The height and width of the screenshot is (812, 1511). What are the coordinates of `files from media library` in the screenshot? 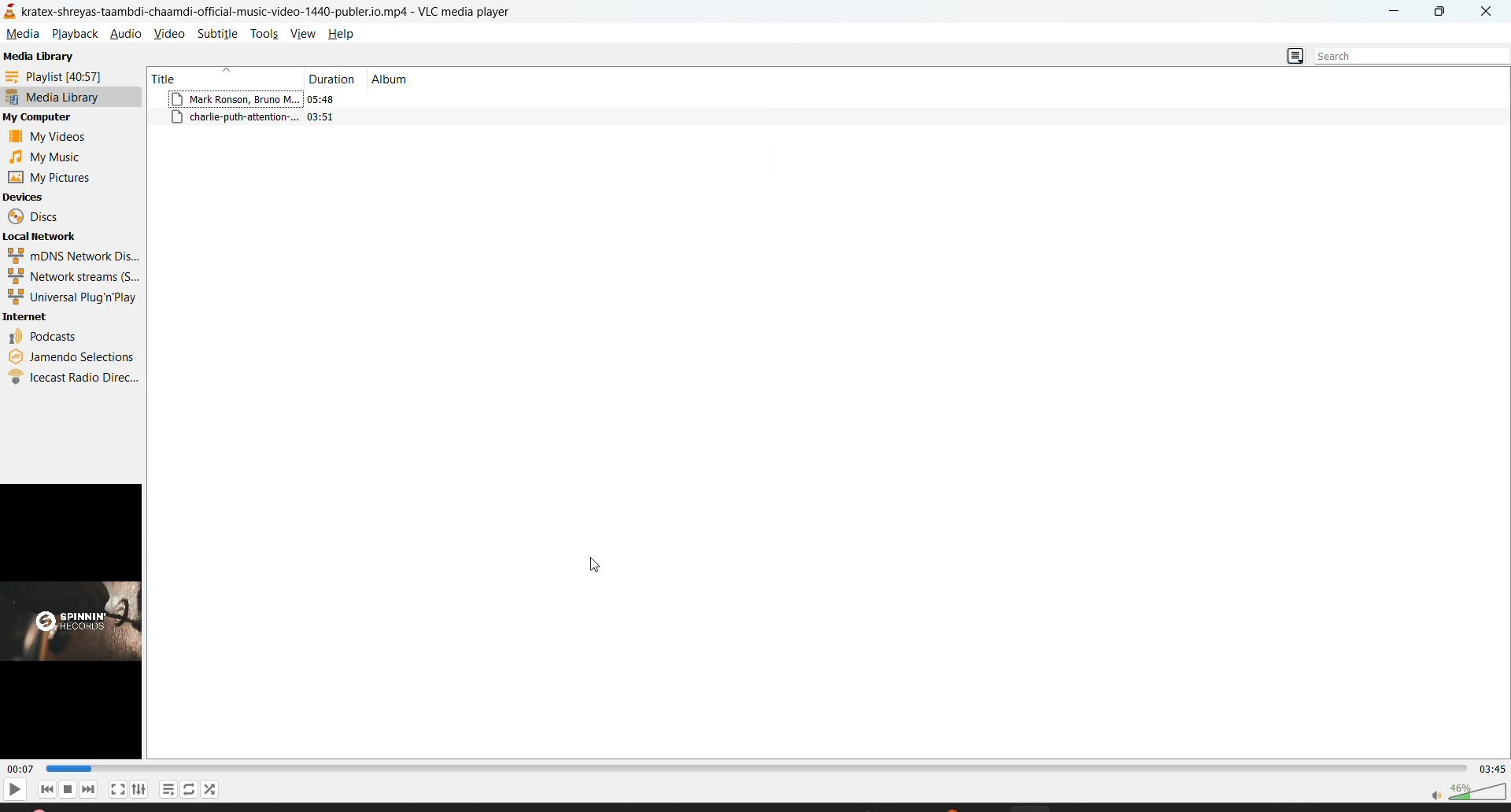 It's located at (297, 99).